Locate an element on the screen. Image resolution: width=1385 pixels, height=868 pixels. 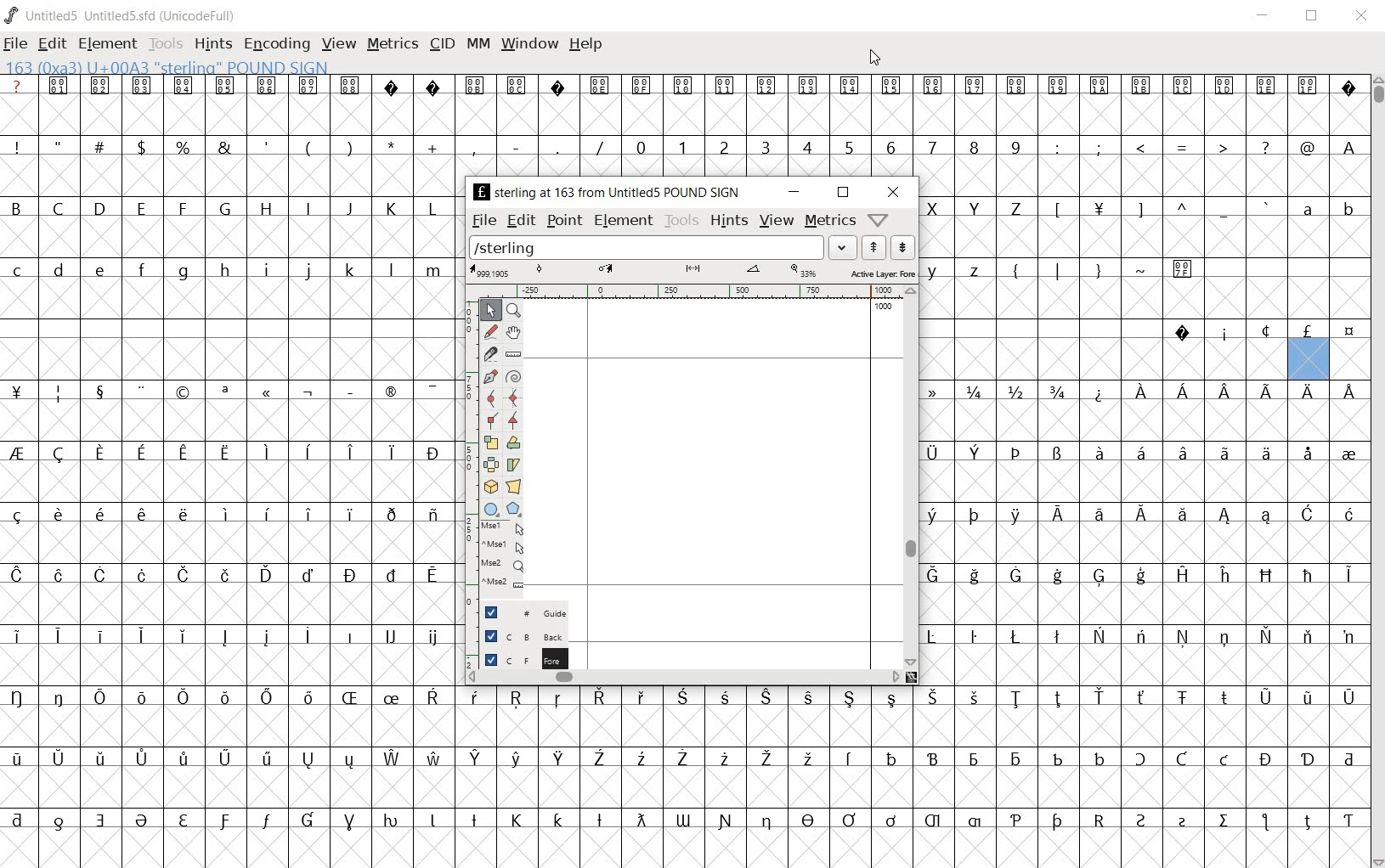
Symbol is located at coordinates (223, 637).